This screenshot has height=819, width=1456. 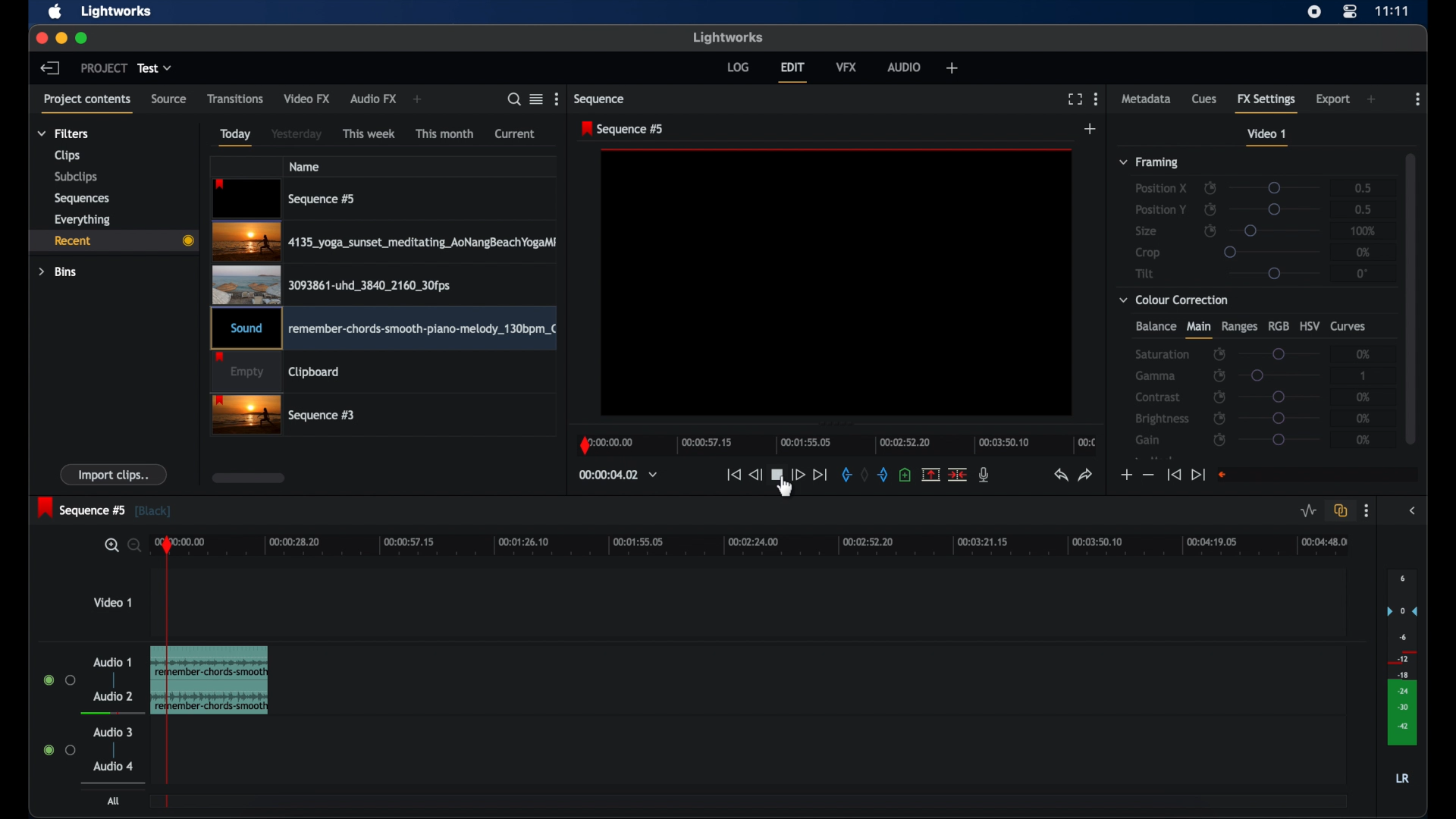 I want to click on video clip, so click(x=331, y=284).